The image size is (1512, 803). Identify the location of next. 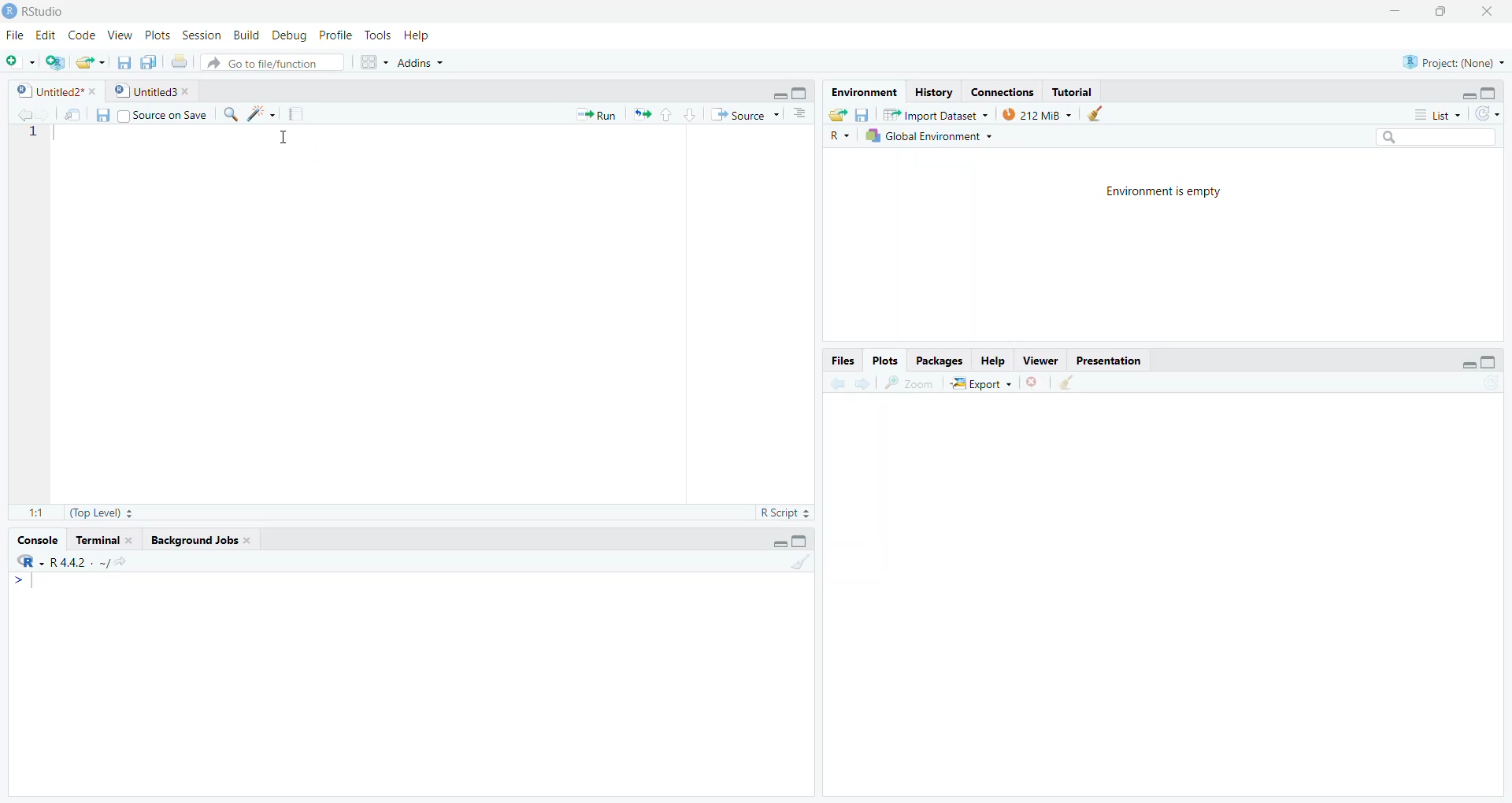
(864, 383).